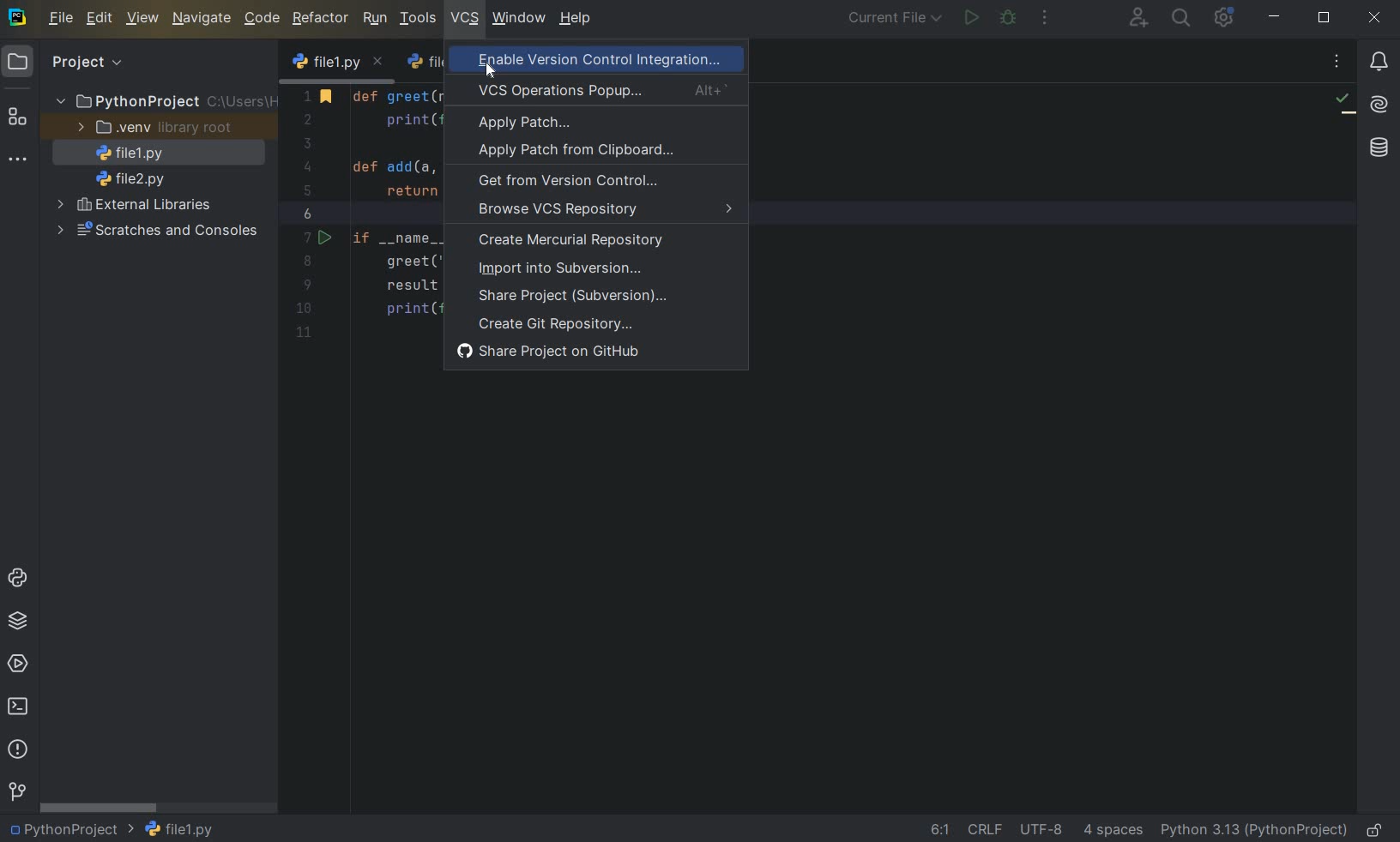 The width and height of the screenshot is (1400, 842). Describe the element at coordinates (395, 208) in the screenshot. I see `code` at that location.